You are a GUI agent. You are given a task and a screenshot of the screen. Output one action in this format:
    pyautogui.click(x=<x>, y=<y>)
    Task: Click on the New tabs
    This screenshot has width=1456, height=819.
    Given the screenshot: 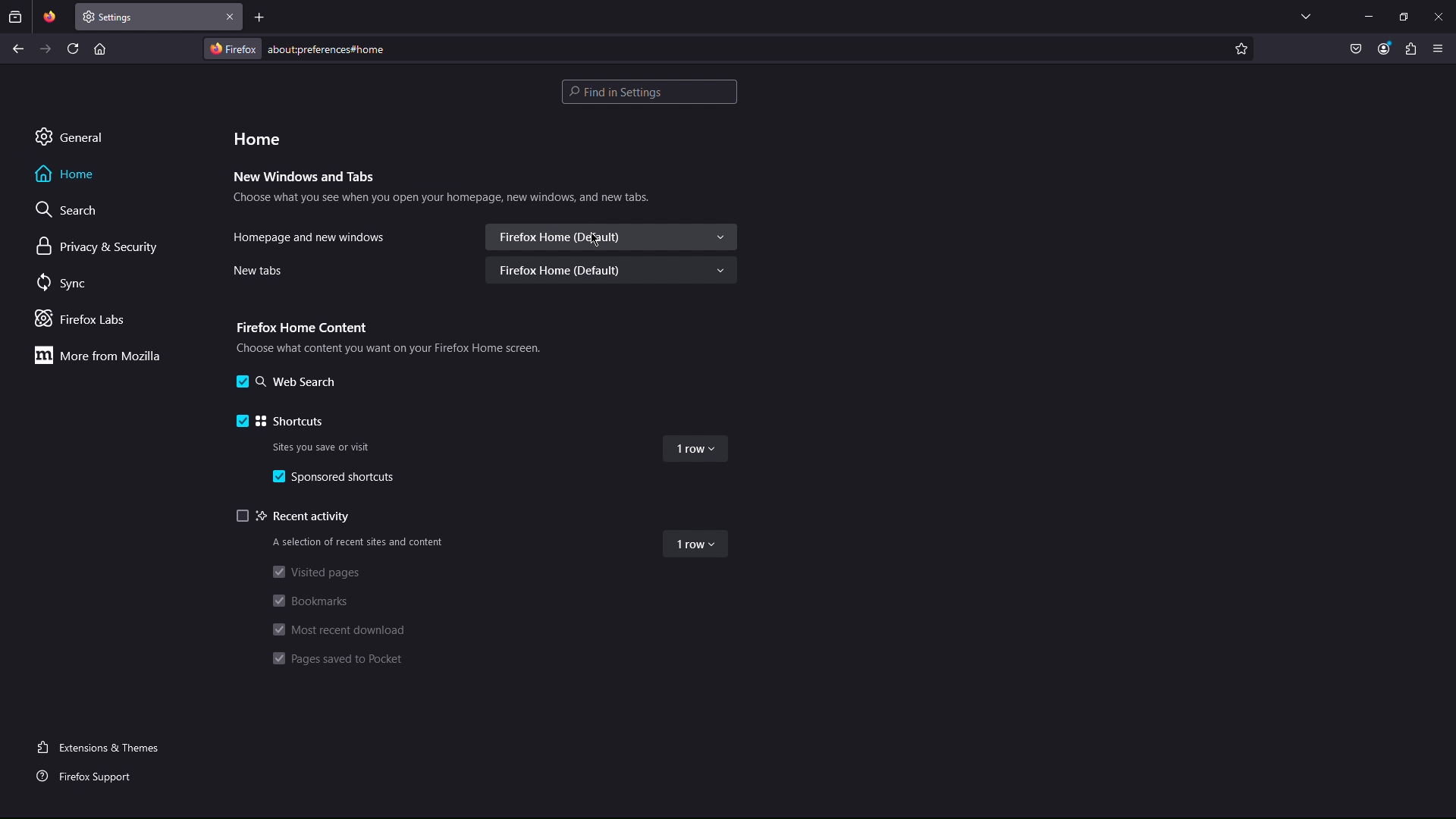 What is the action you would take?
    pyautogui.click(x=259, y=271)
    